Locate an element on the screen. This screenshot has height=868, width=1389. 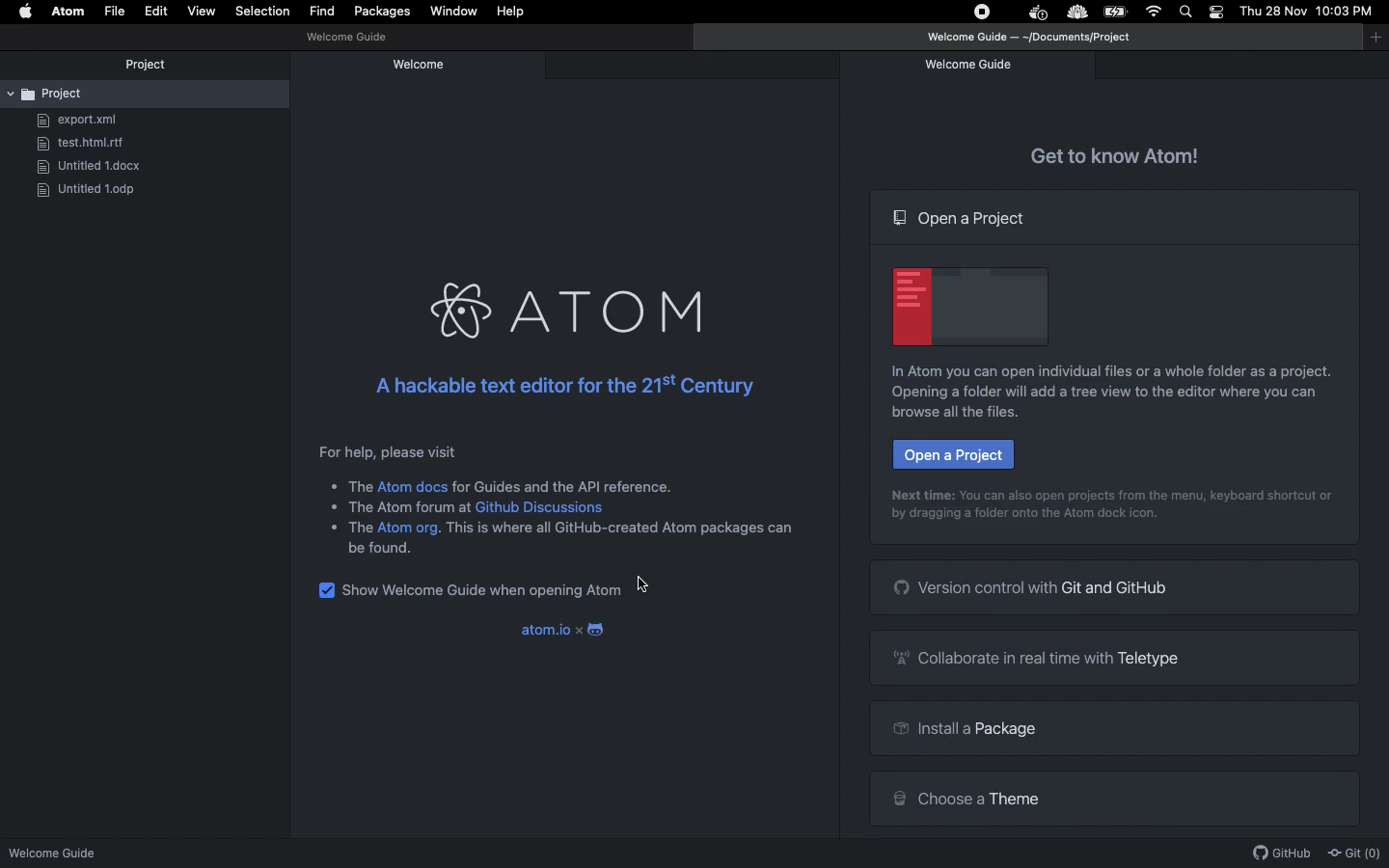
Be Found is located at coordinates (381, 548).